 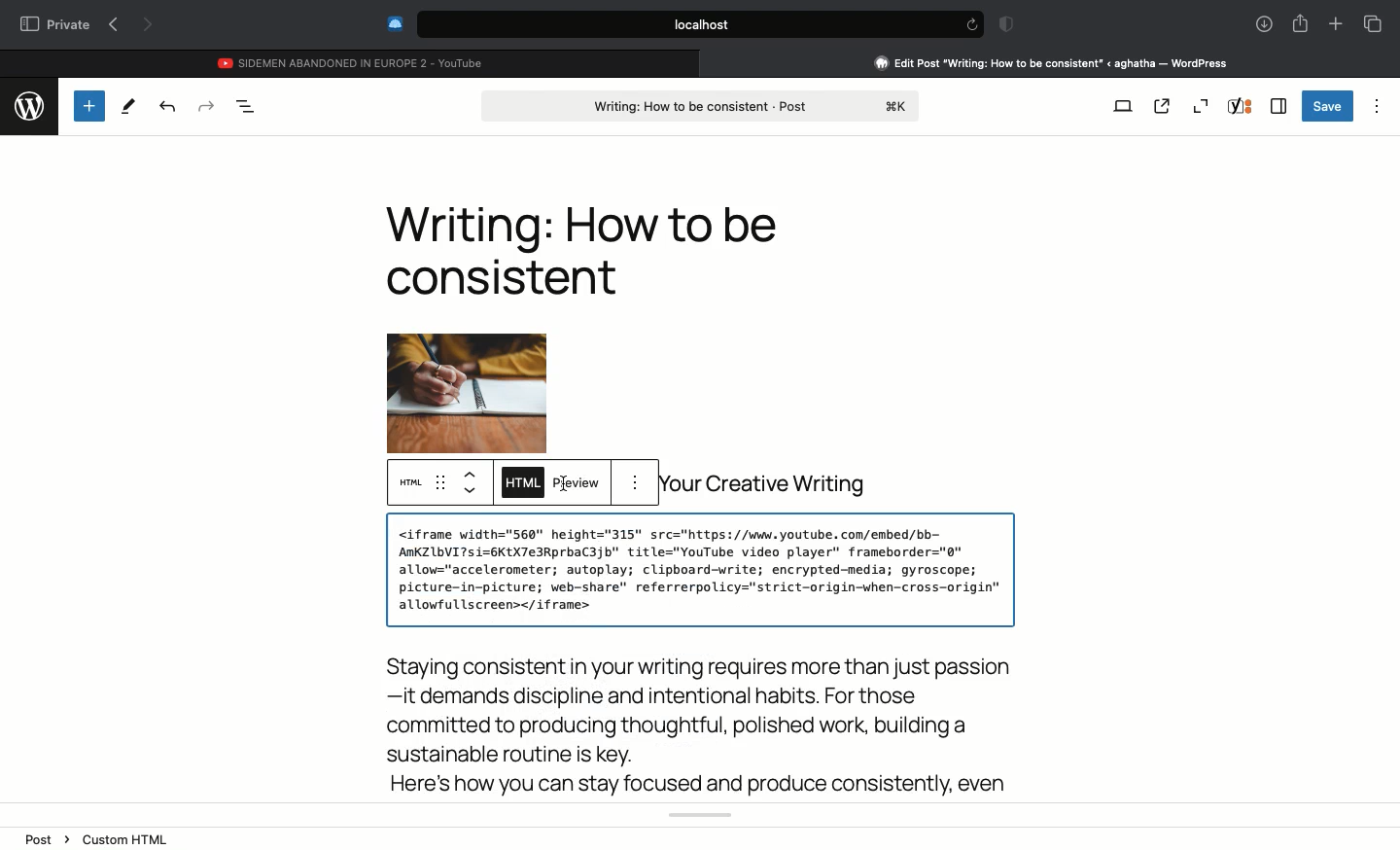 I want to click on refresh, so click(x=970, y=24).